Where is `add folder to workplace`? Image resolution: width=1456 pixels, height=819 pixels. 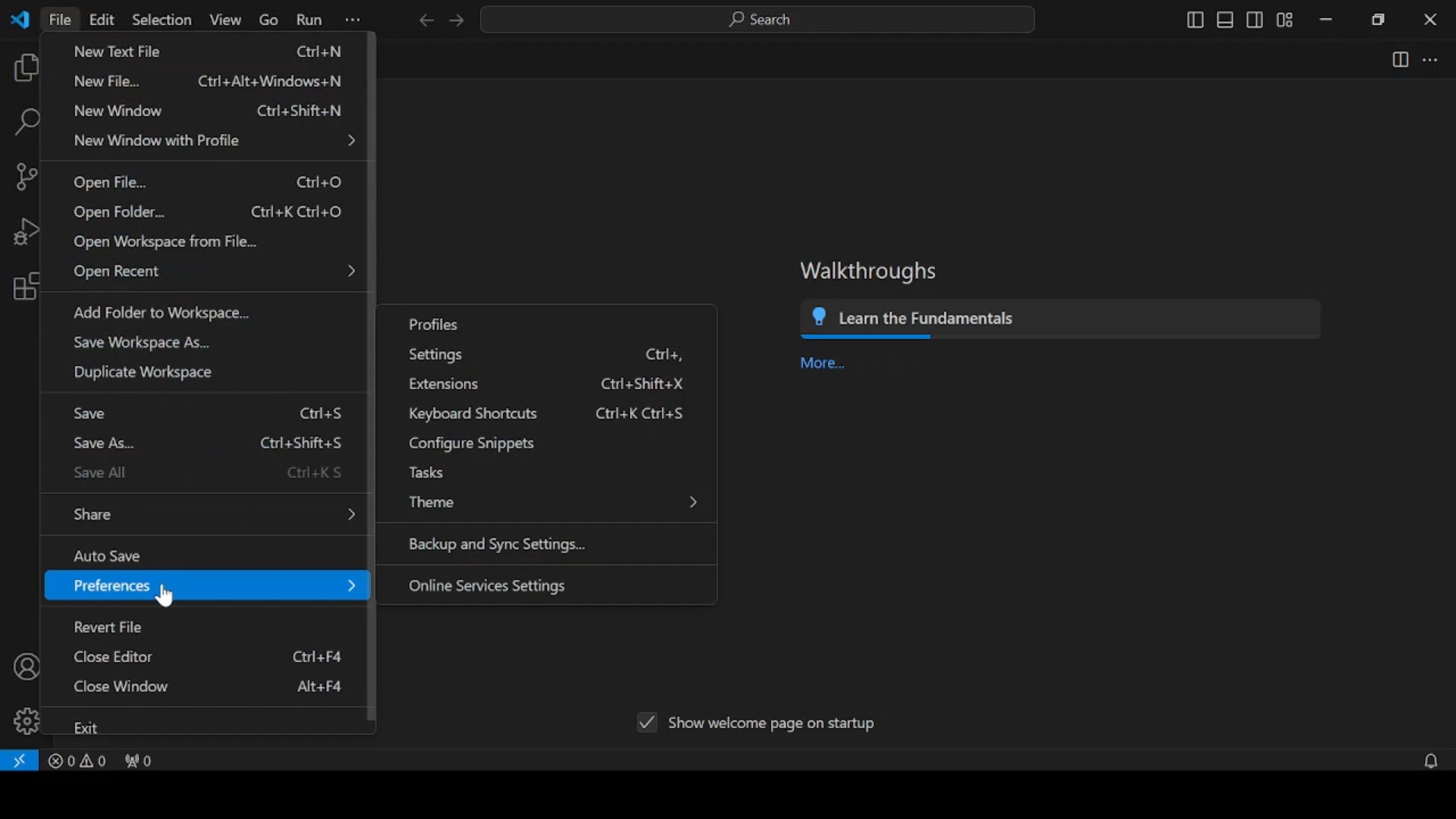 add folder to workplace is located at coordinates (164, 312).